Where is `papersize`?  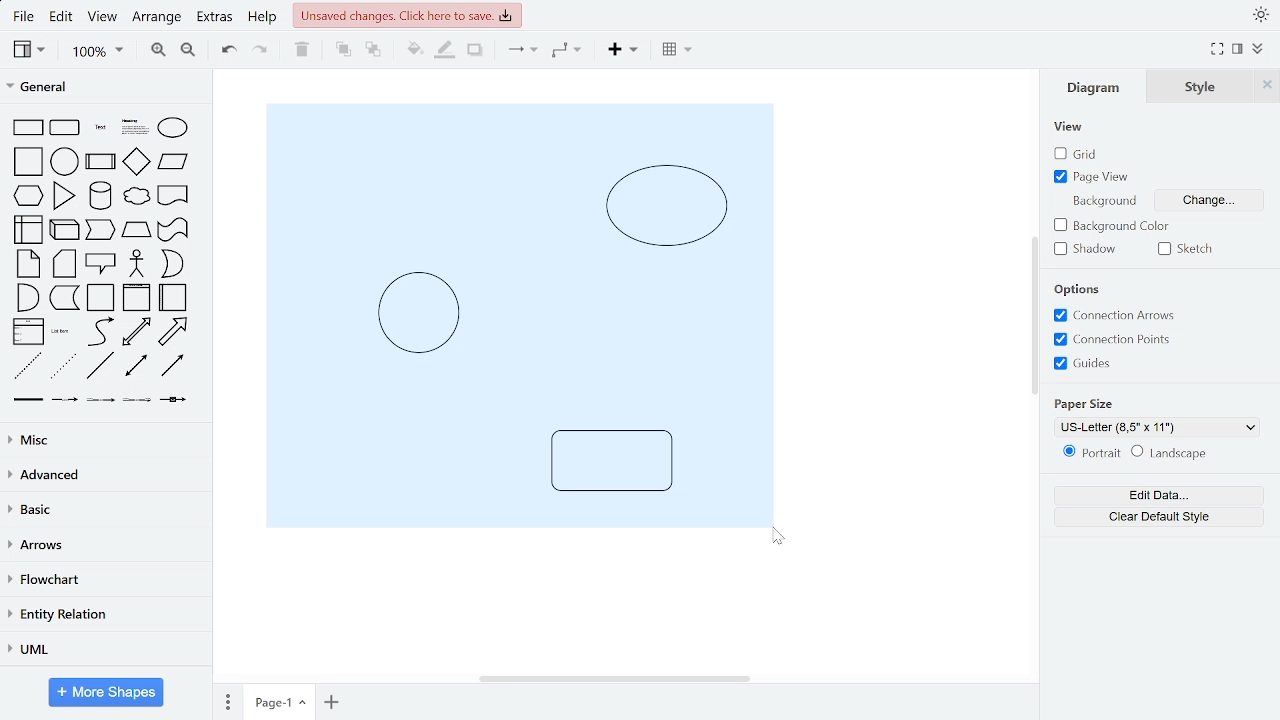
papersize is located at coordinates (1082, 404).